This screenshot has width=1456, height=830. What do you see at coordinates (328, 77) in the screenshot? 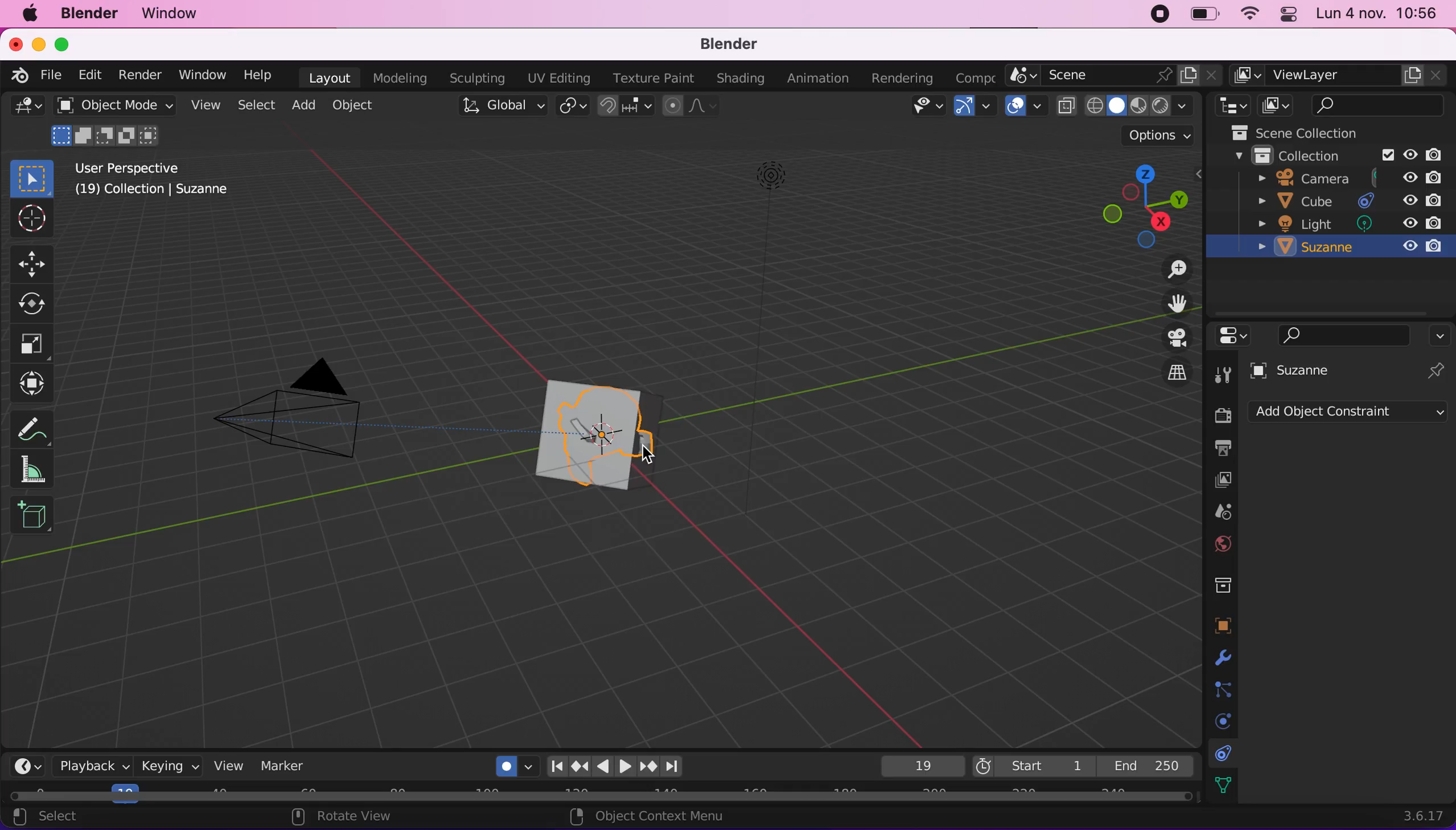
I see `layout` at bounding box center [328, 77].